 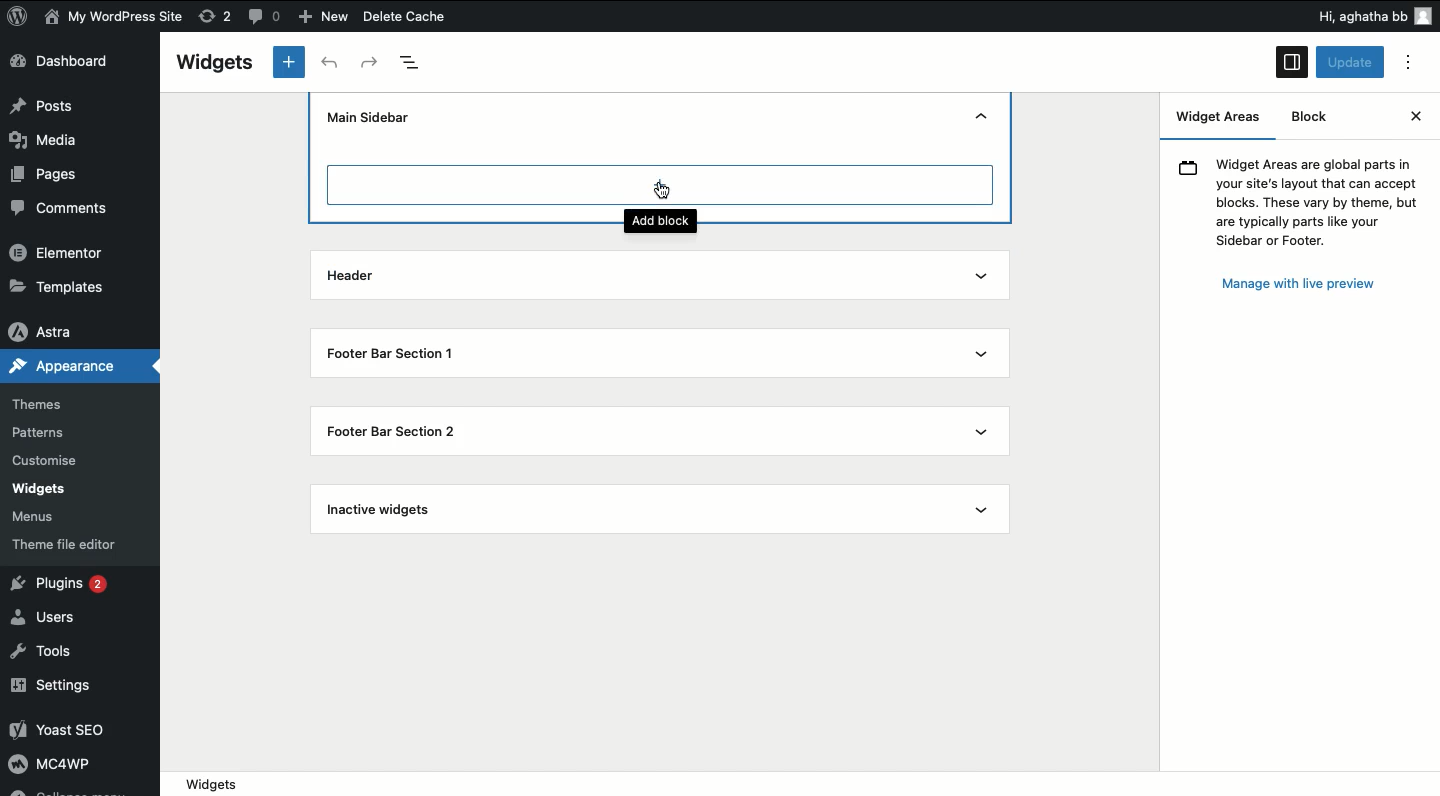 What do you see at coordinates (118, 18) in the screenshot?
I see ` My WordPress Site` at bounding box center [118, 18].